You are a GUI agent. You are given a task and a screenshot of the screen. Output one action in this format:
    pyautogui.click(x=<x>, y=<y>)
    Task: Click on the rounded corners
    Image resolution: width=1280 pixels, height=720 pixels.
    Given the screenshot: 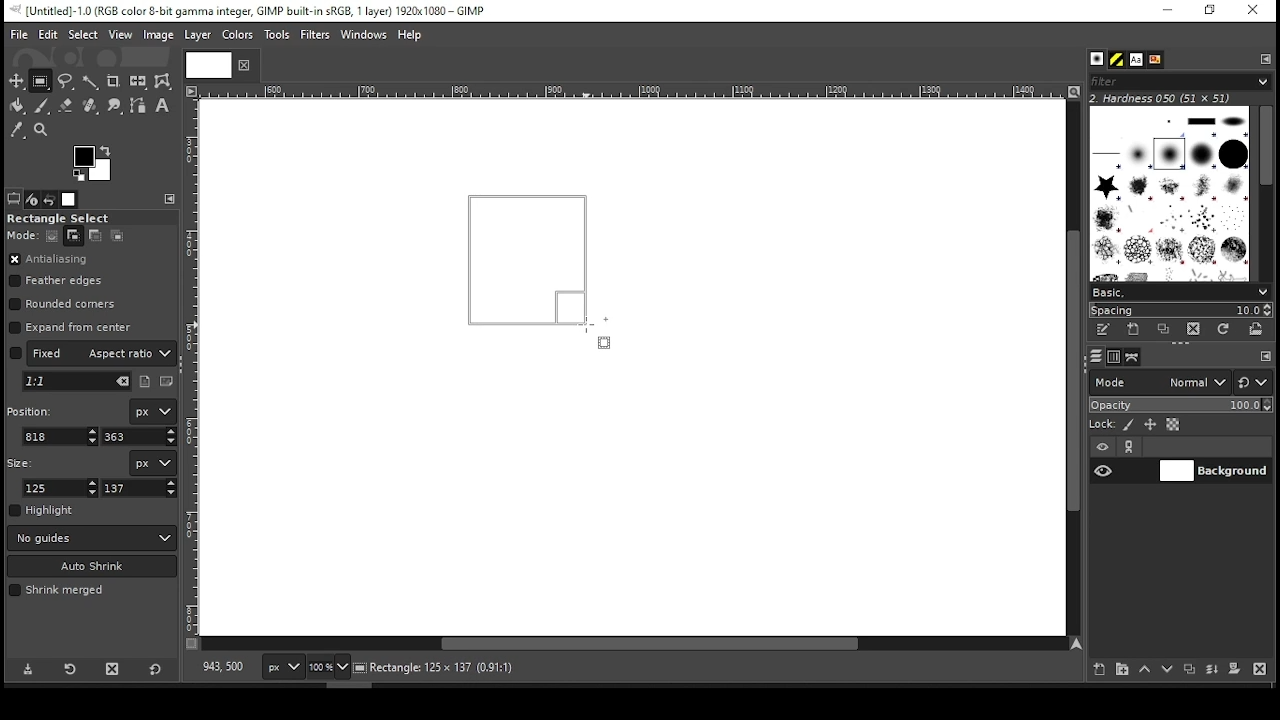 What is the action you would take?
    pyautogui.click(x=65, y=304)
    